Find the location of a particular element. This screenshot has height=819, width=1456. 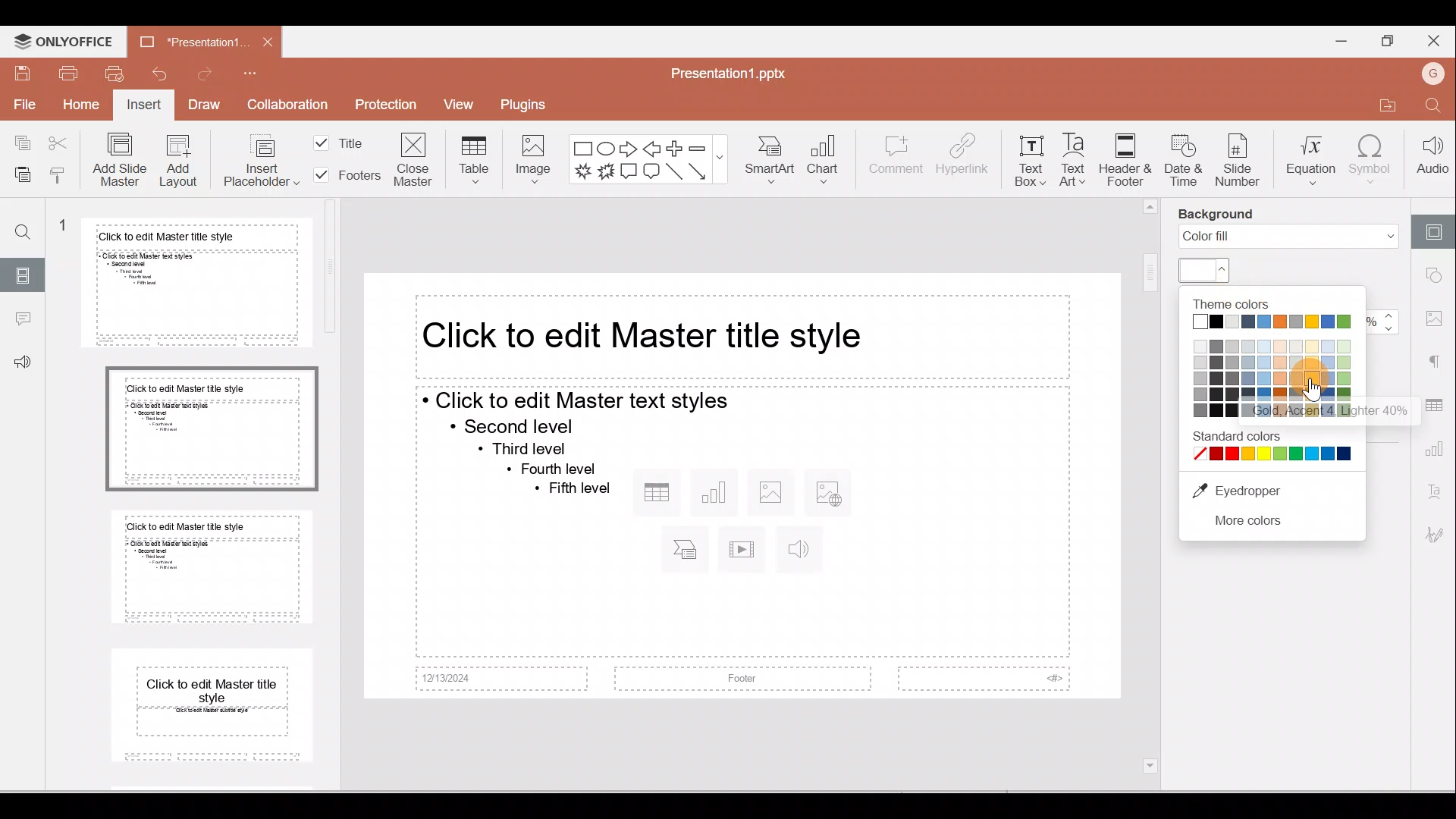

Close is located at coordinates (268, 39).